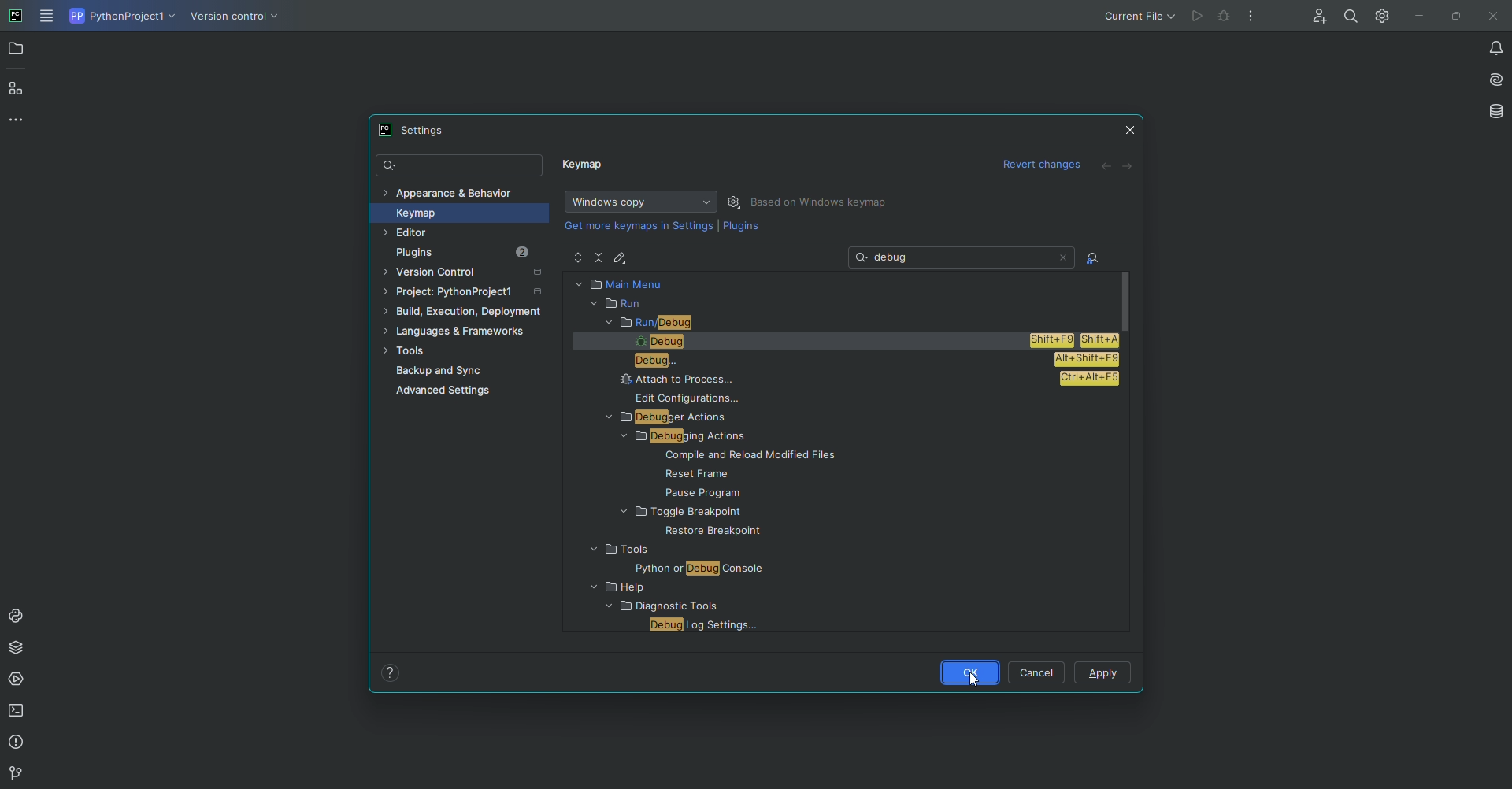  What do you see at coordinates (1197, 17) in the screenshot?
I see `Cannot run the file` at bounding box center [1197, 17].